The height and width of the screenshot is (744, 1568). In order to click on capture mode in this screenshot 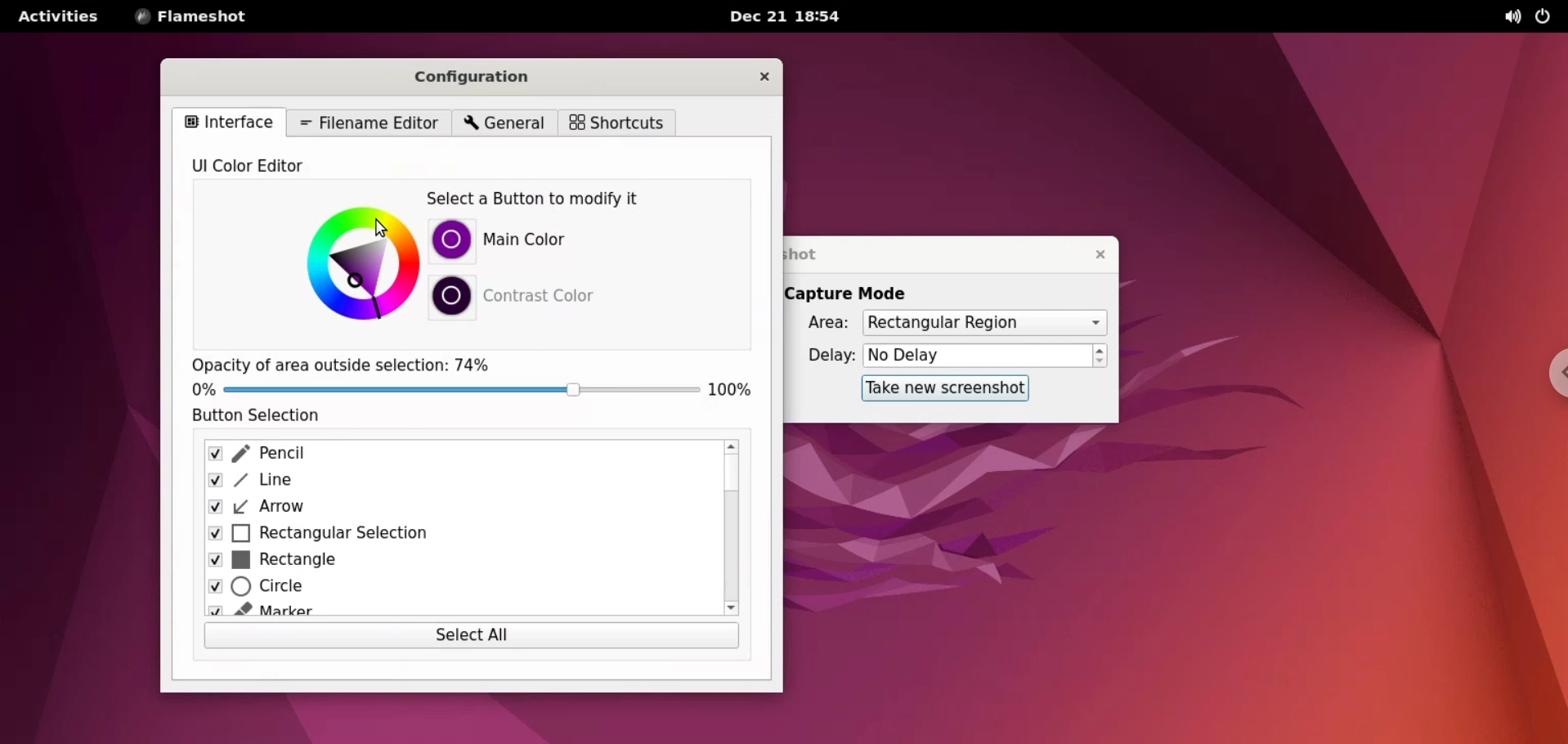, I will do `click(859, 292)`.